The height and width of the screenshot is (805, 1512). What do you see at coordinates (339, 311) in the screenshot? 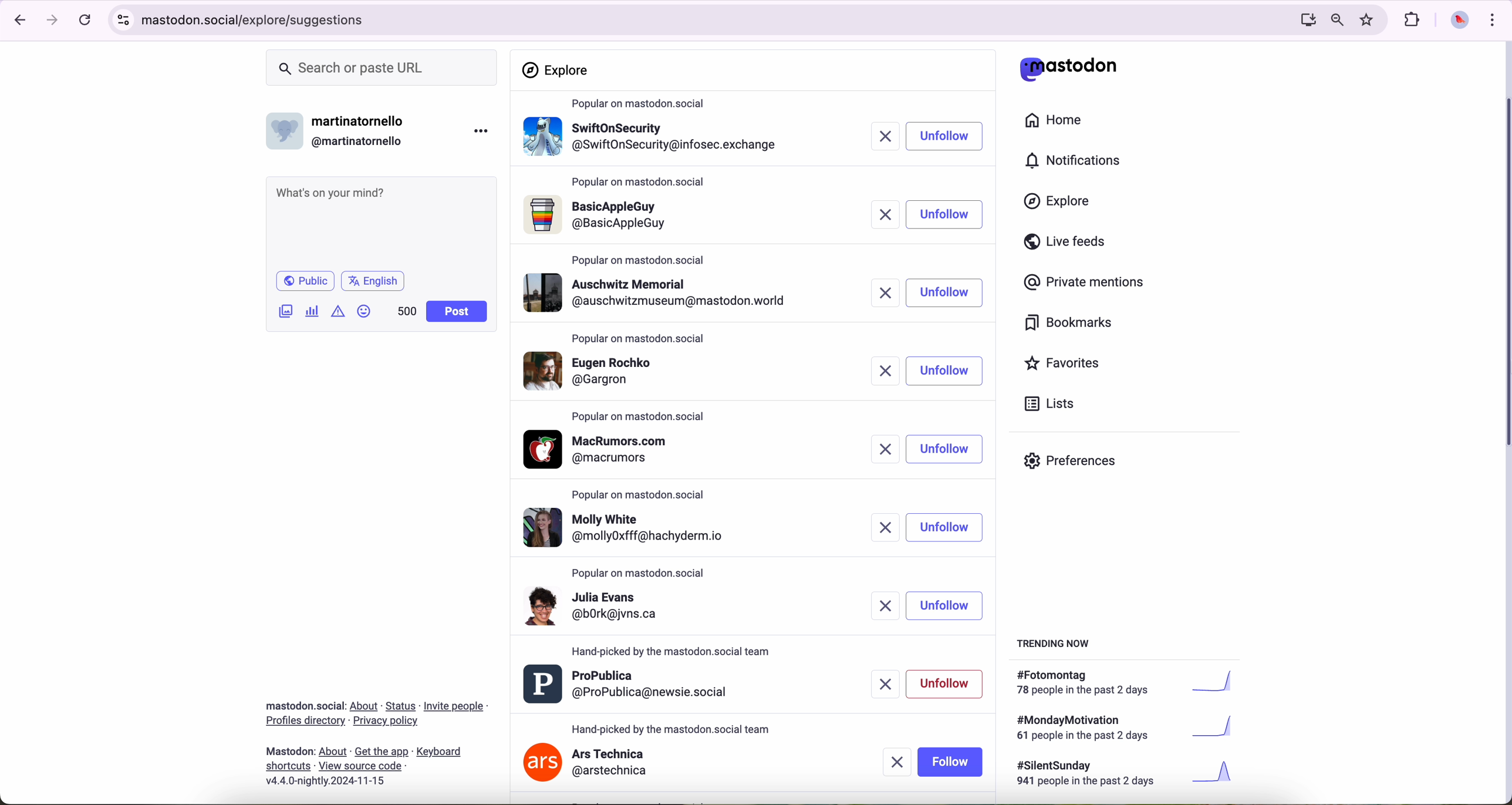
I see `icon` at bounding box center [339, 311].